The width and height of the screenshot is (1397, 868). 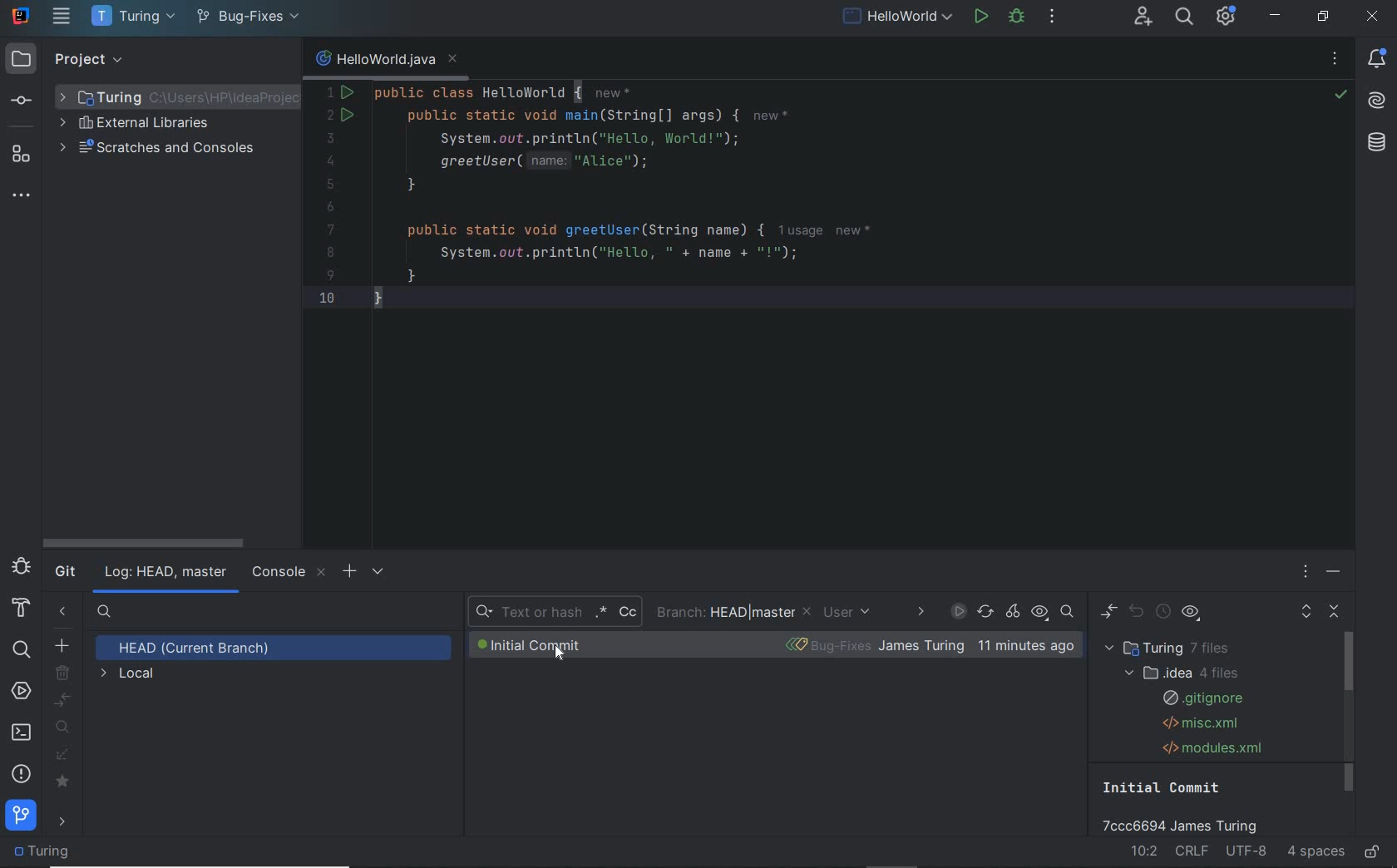 I want to click on HEAD, so click(x=199, y=649).